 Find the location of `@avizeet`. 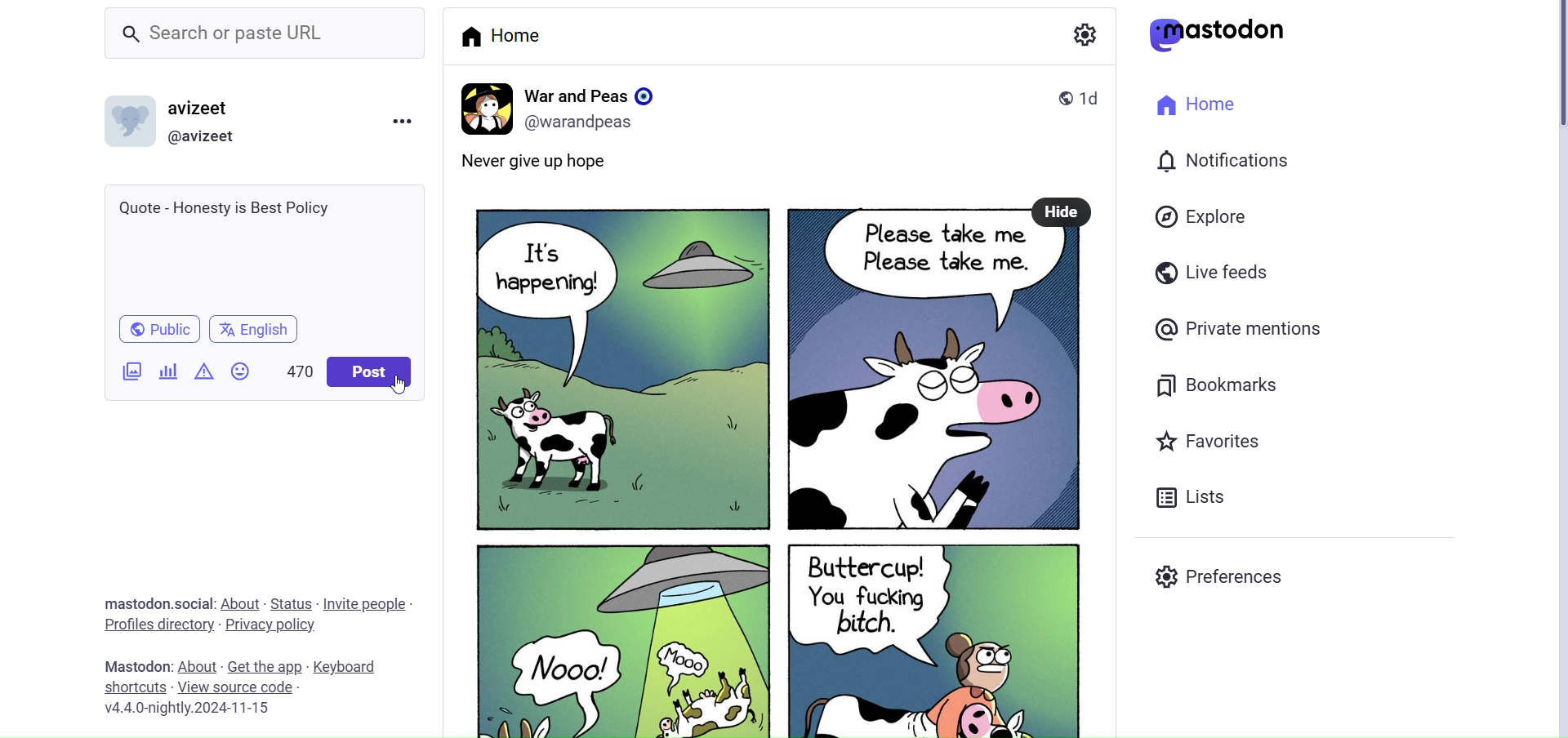

@avizeet is located at coordinates (209, 136).